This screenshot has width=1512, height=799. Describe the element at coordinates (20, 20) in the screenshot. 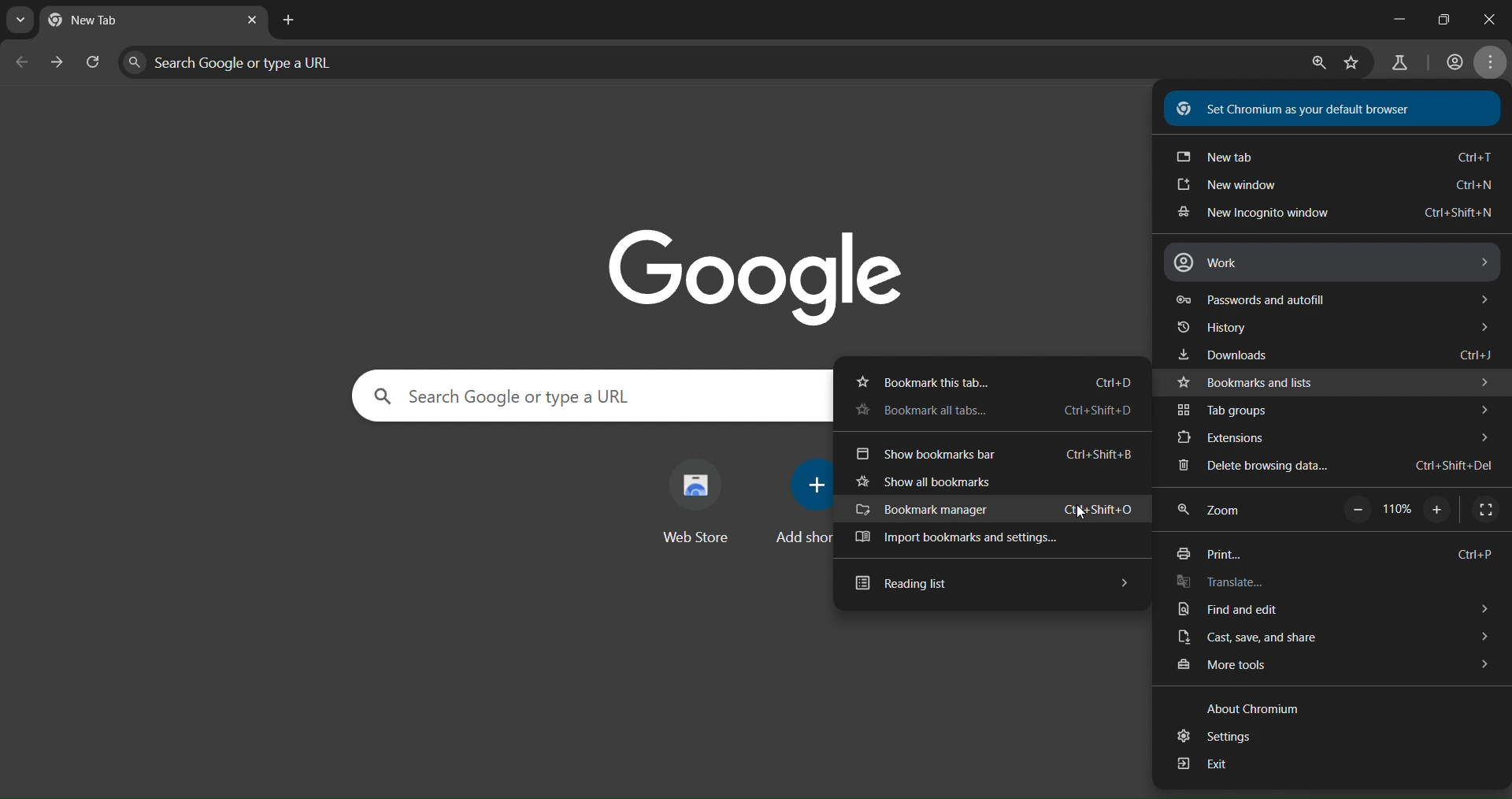

I see `search tabs` at that location.